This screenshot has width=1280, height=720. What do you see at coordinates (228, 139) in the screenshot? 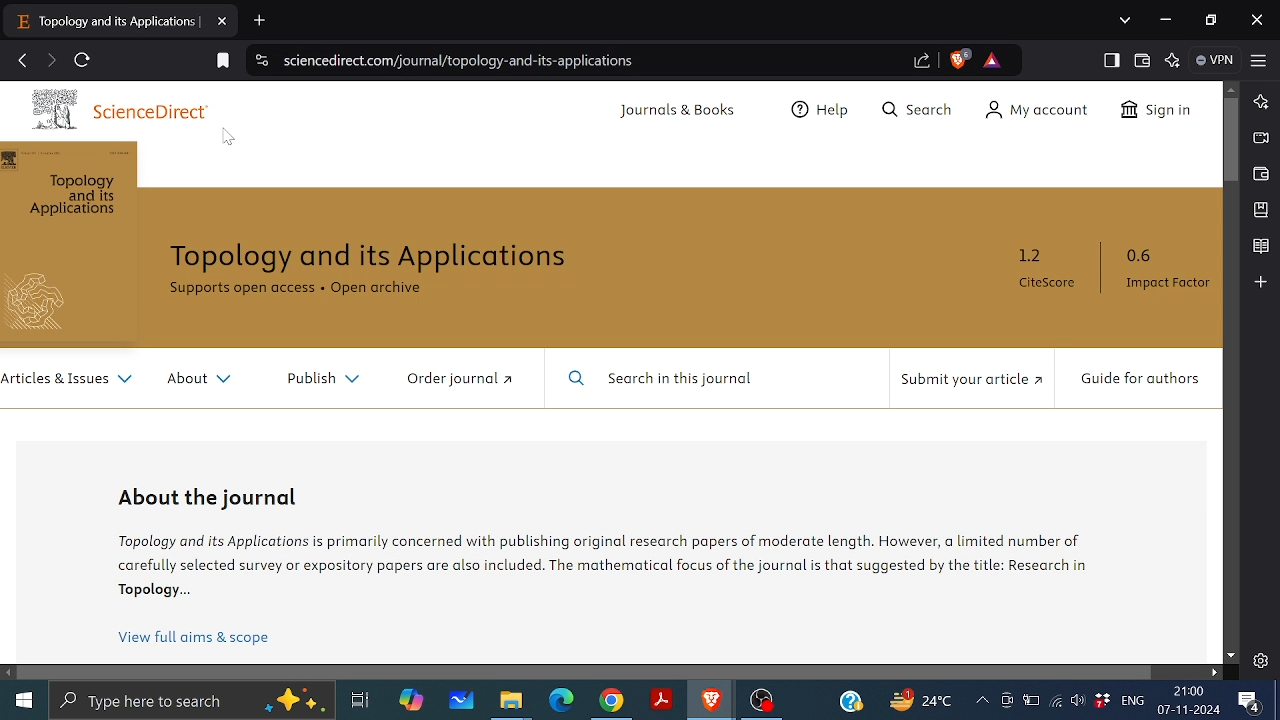
I see `cursor` at bounding box center [228, 139].